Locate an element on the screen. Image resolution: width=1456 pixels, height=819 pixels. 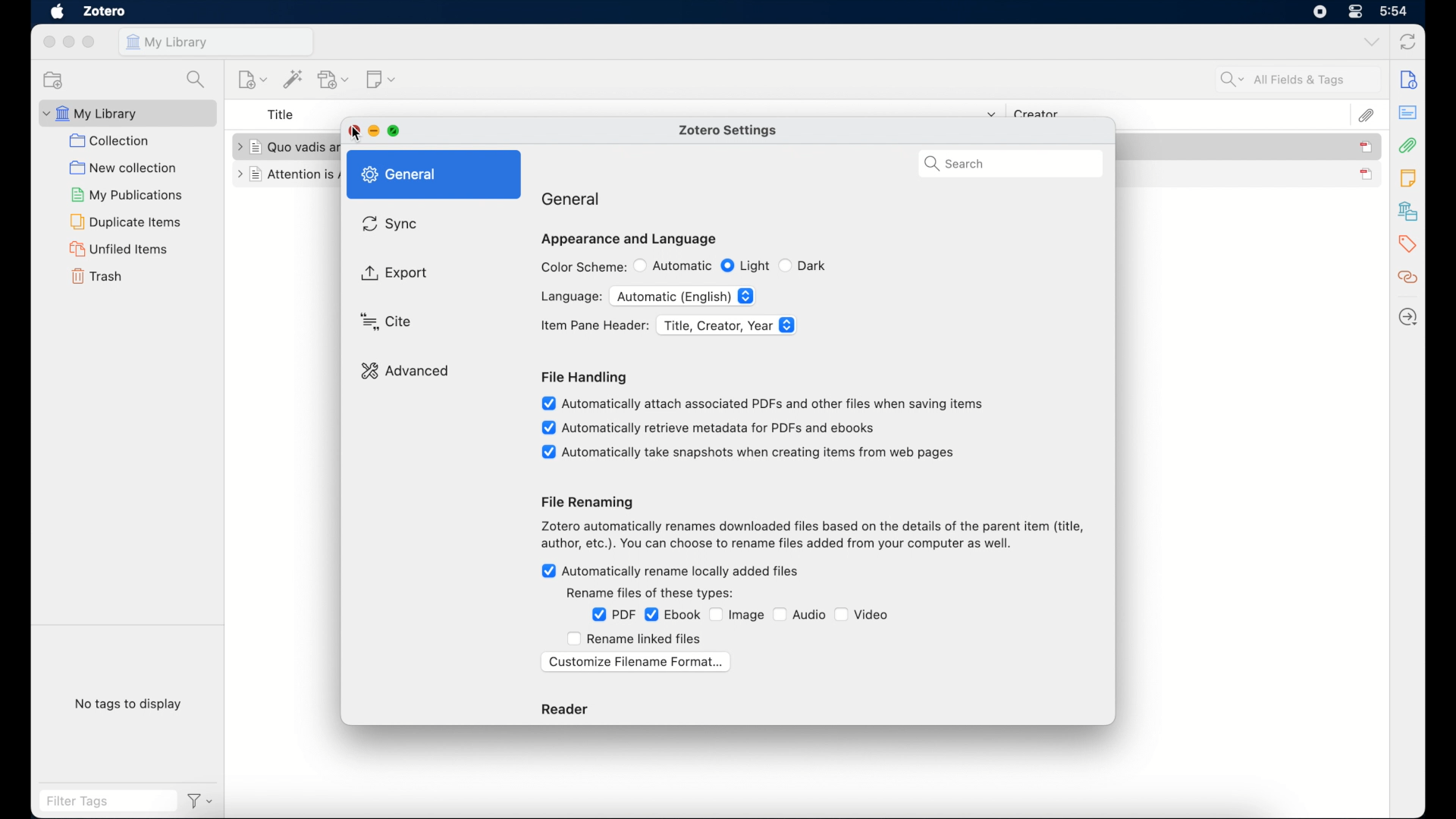
advanced  is located at coordinates (404, 371).